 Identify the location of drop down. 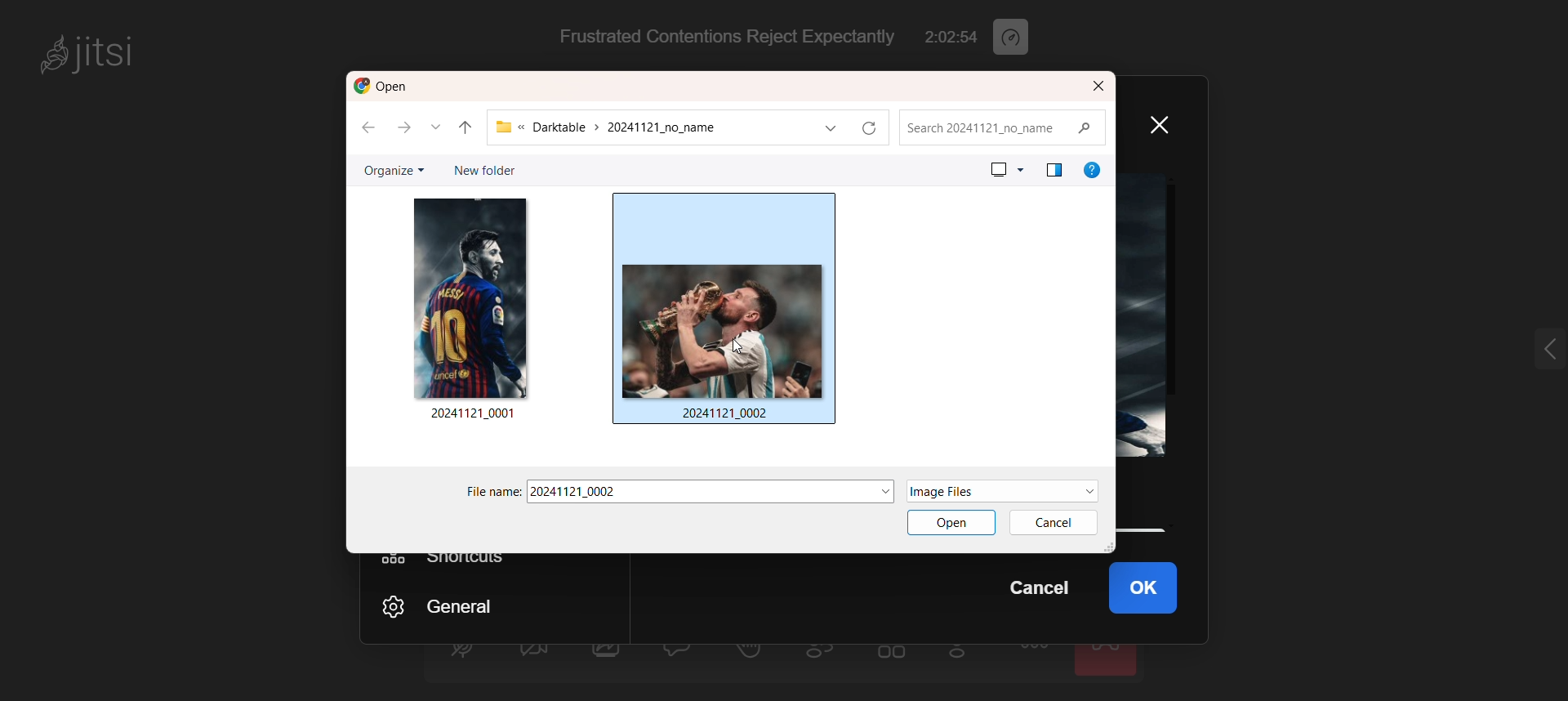
(830, 128).